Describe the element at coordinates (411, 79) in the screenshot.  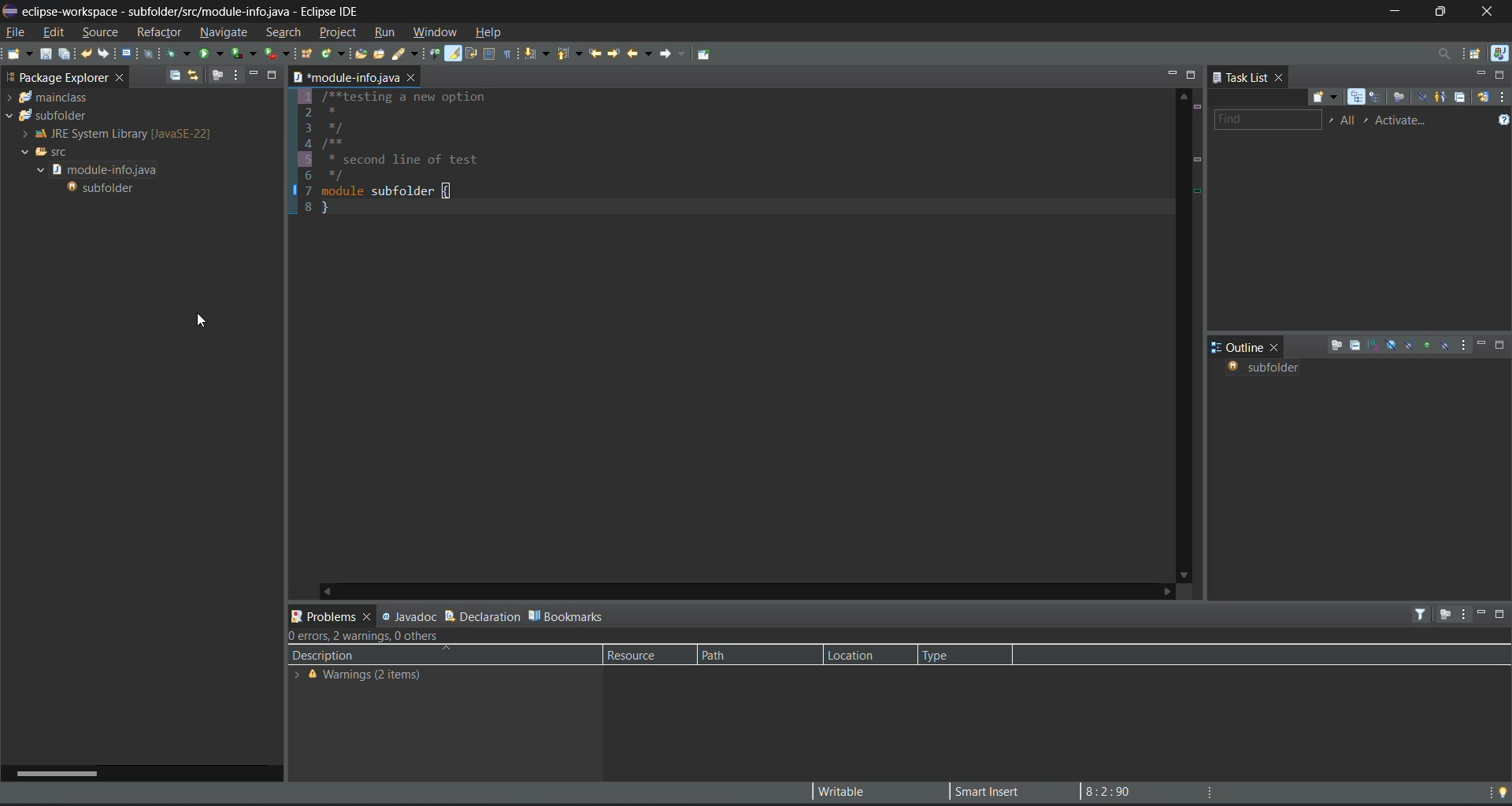
I see `close` at that location.